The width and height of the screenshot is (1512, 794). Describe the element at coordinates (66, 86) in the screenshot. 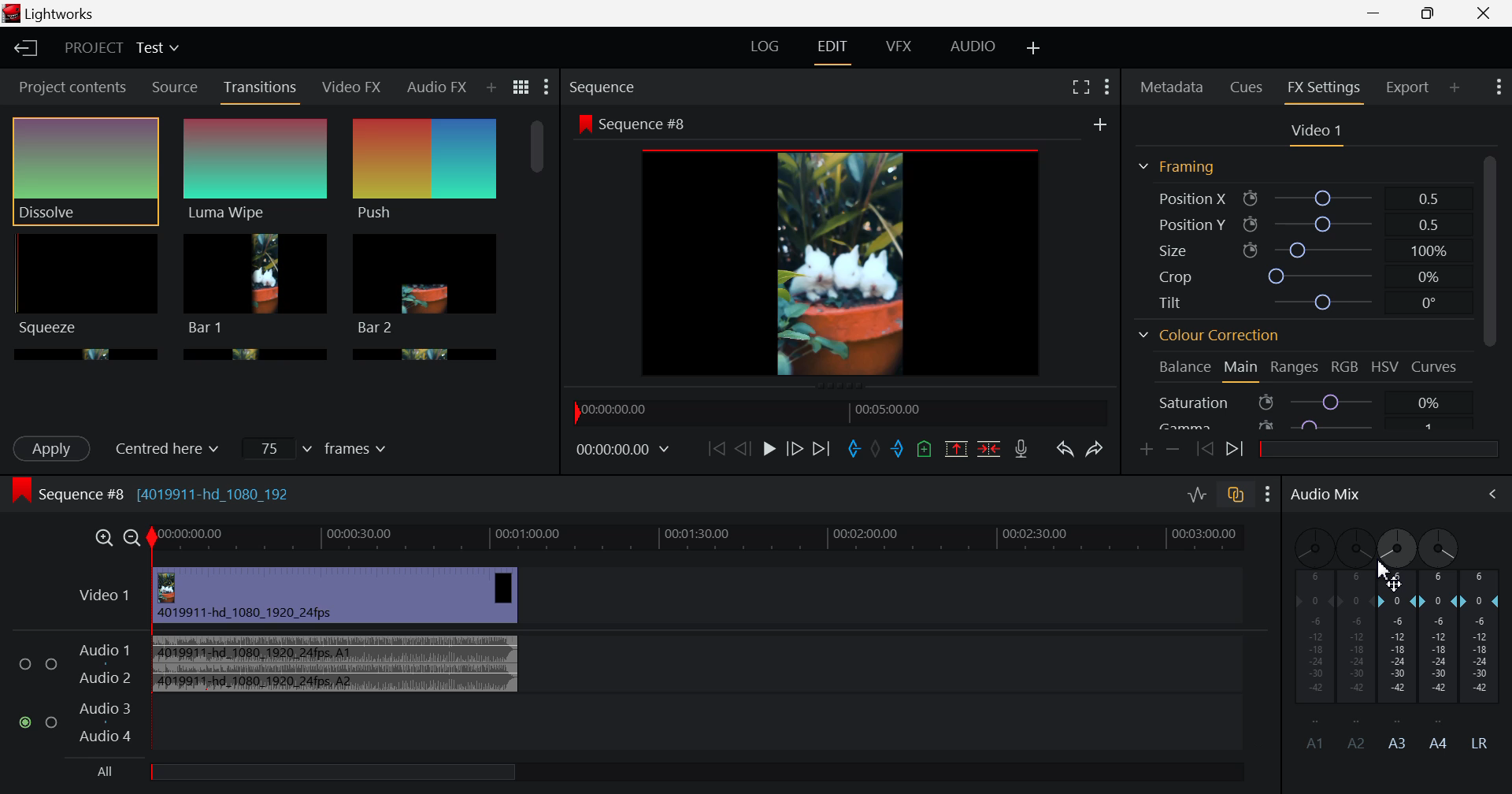

I see `Project contents` at that location.